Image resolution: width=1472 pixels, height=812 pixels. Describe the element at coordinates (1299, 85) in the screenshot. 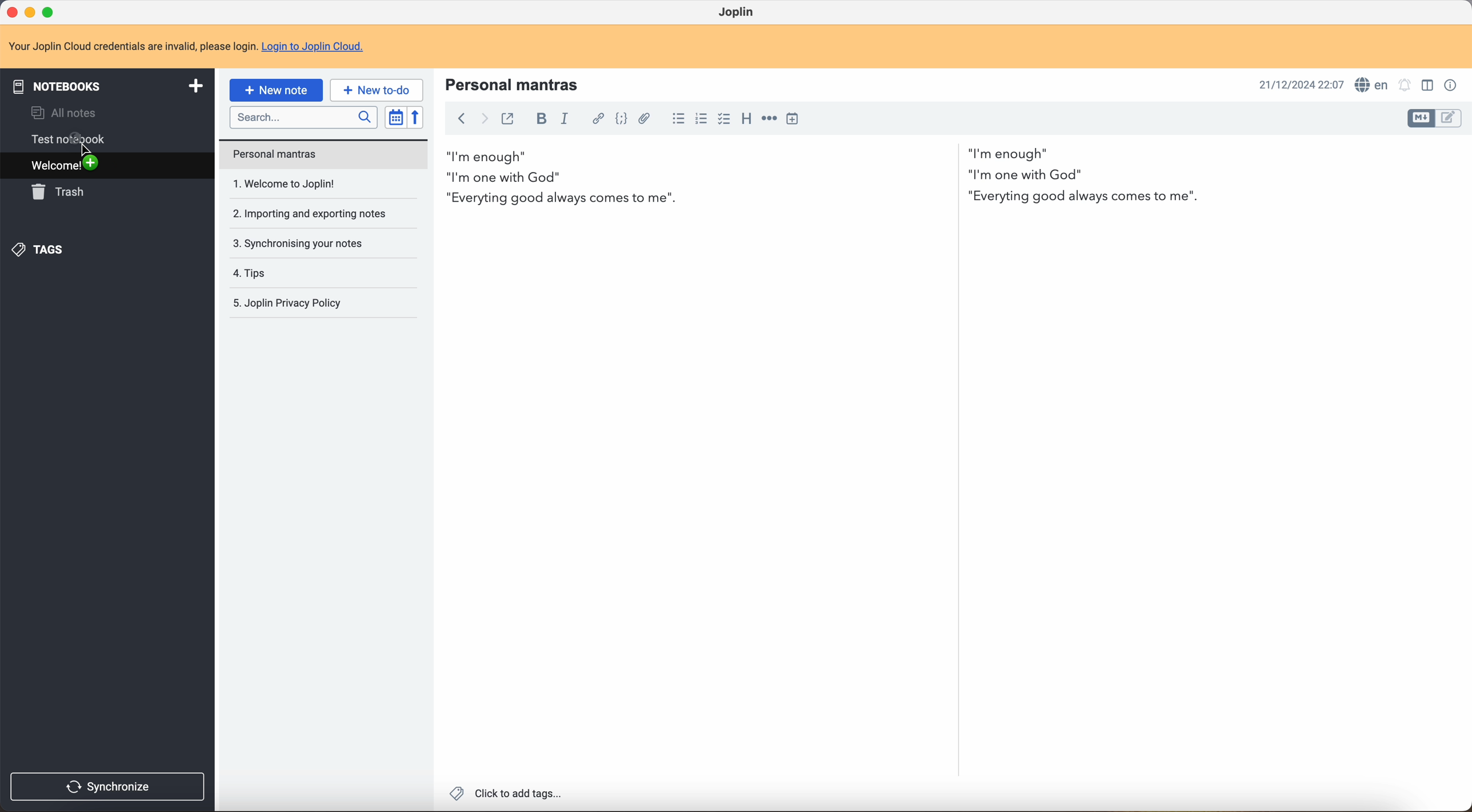

I see `date and hour` at that location.